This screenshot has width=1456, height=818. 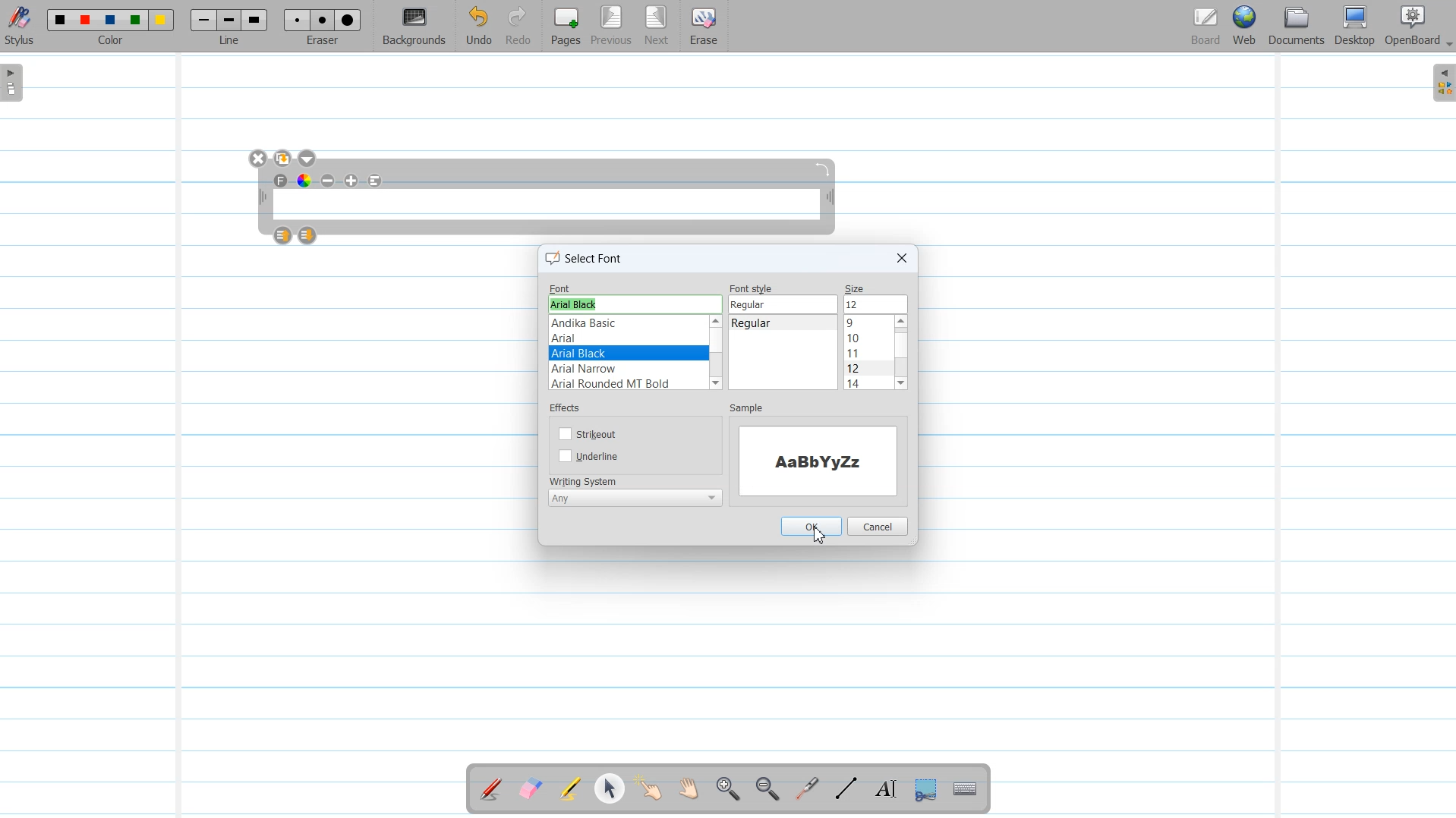 What do you see at coordinates (308, 235) in the screenshot?
I see `Layer Down` at bounding box center [308, 235].